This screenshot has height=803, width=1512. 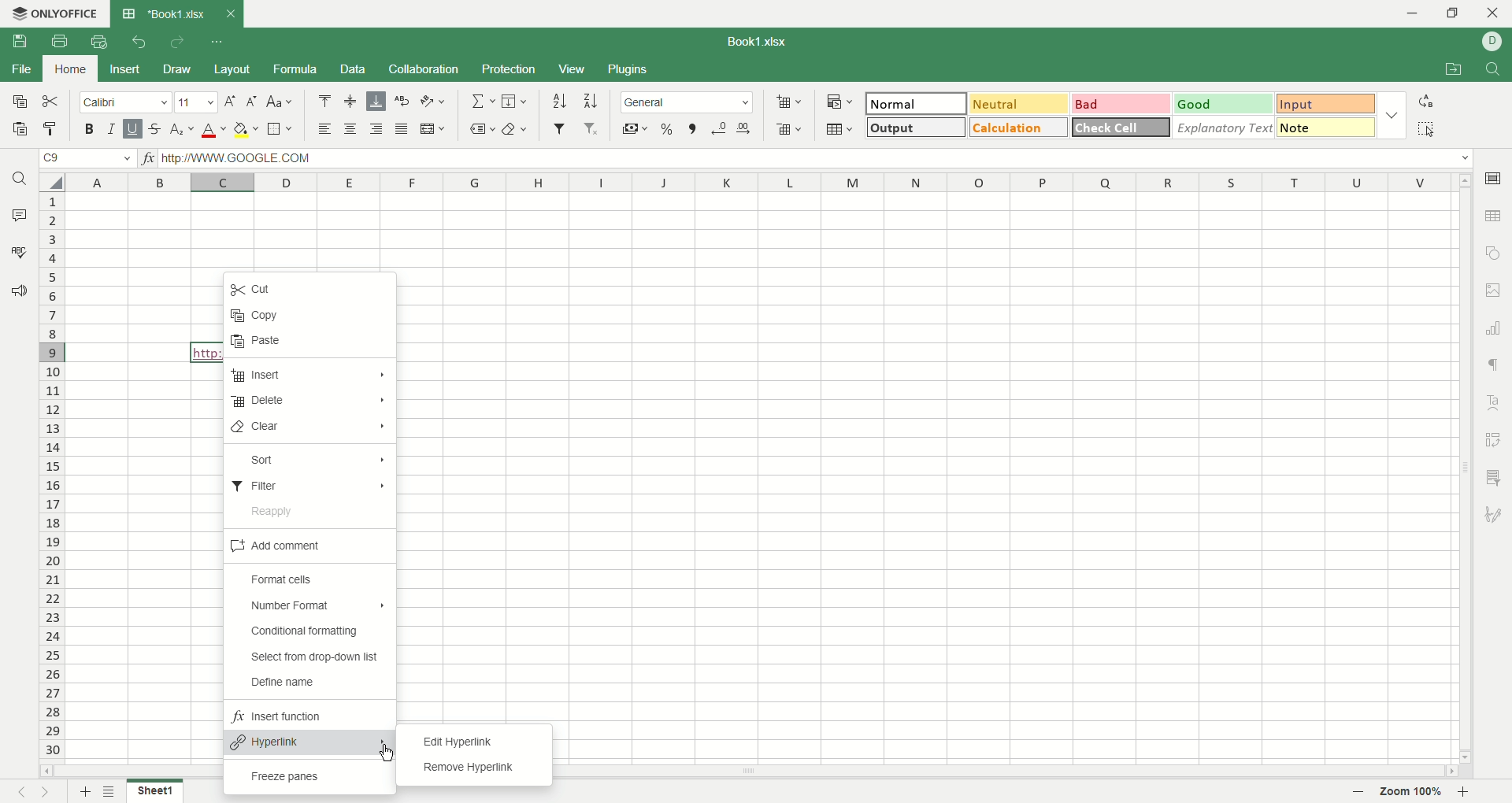 What do you see at coordinates (140, 42) in the screenshot?
I see `undo` at bounding box center [140, 42].